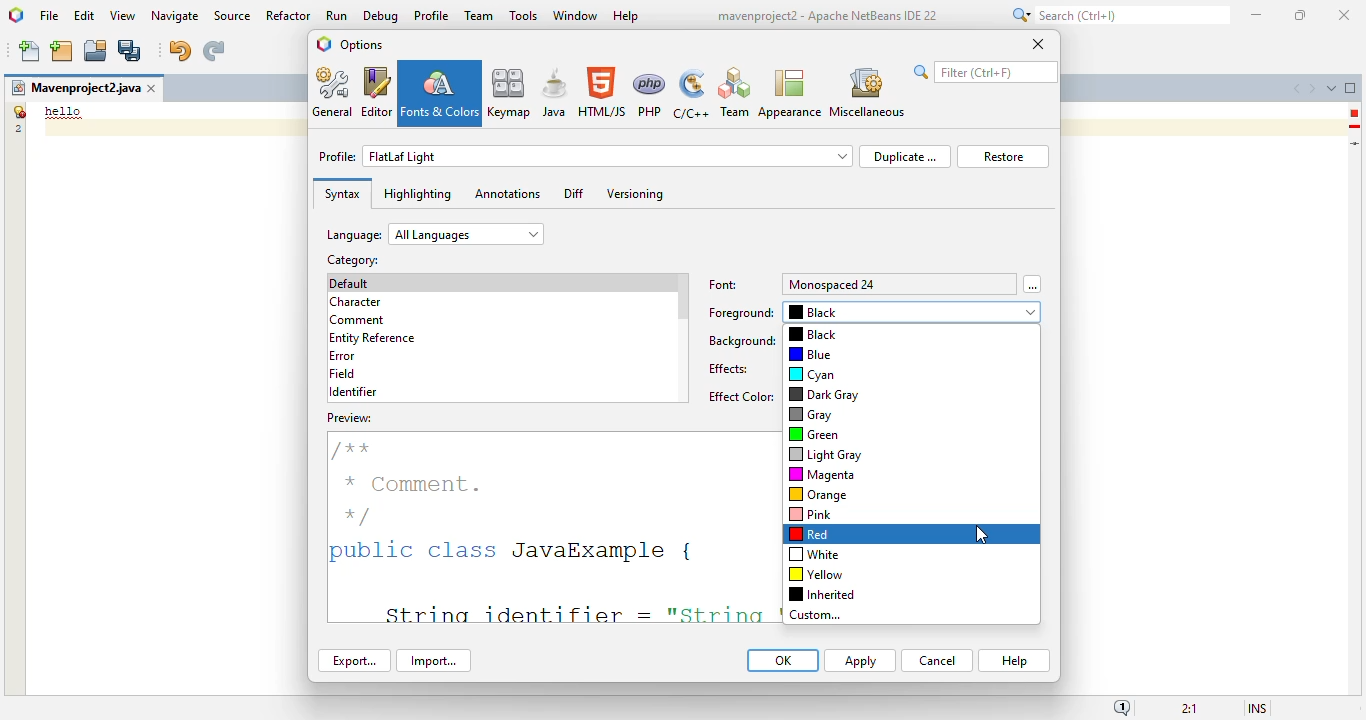 This screenshot has height=720, width=1366. What do you see at coordinates (334, 92) in the screenshot?
I see `general` at bounding box center [334, 92].